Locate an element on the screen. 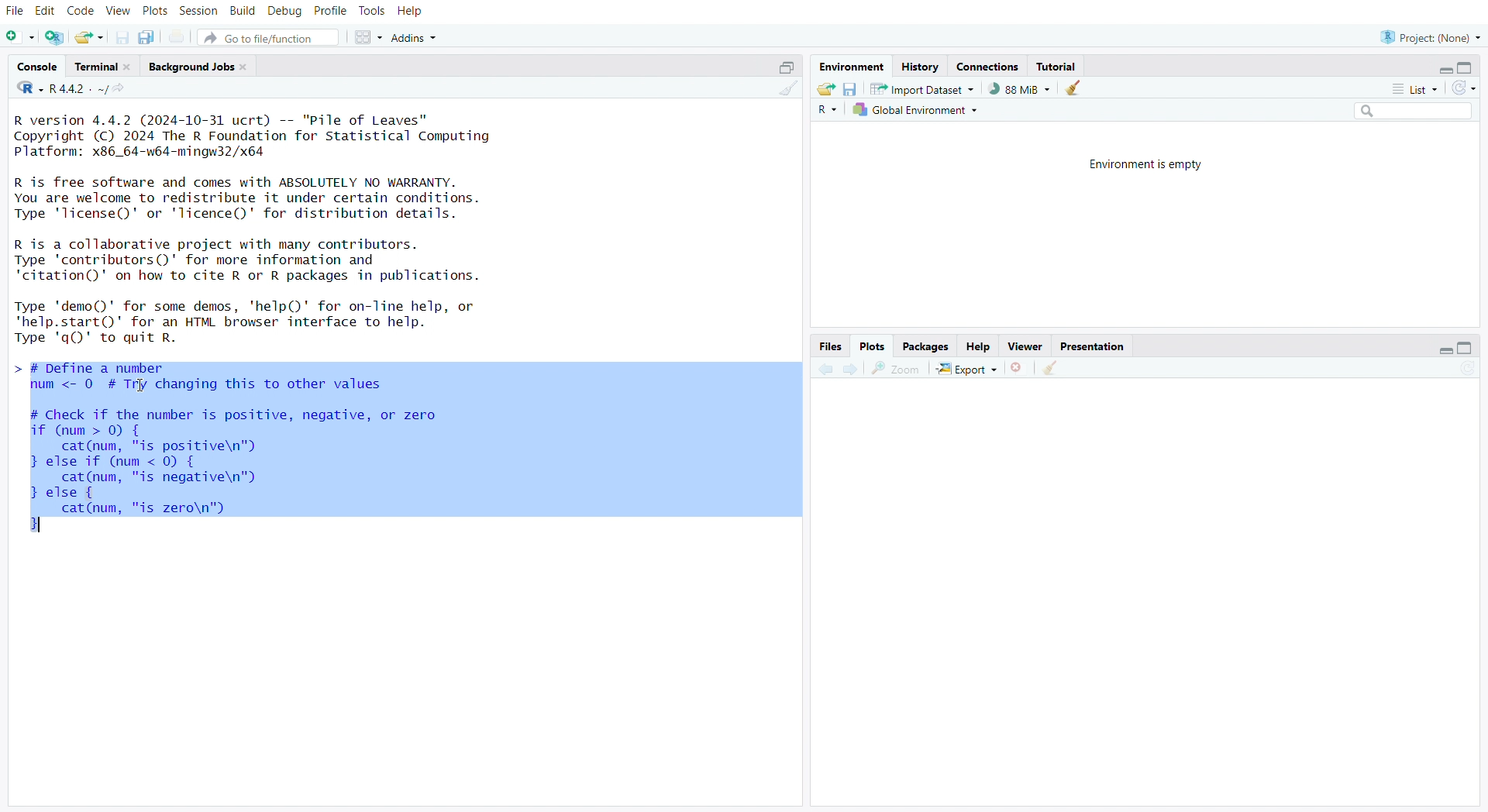 The image size is (1488, 812). clear console is located at coordinates (787, 91).